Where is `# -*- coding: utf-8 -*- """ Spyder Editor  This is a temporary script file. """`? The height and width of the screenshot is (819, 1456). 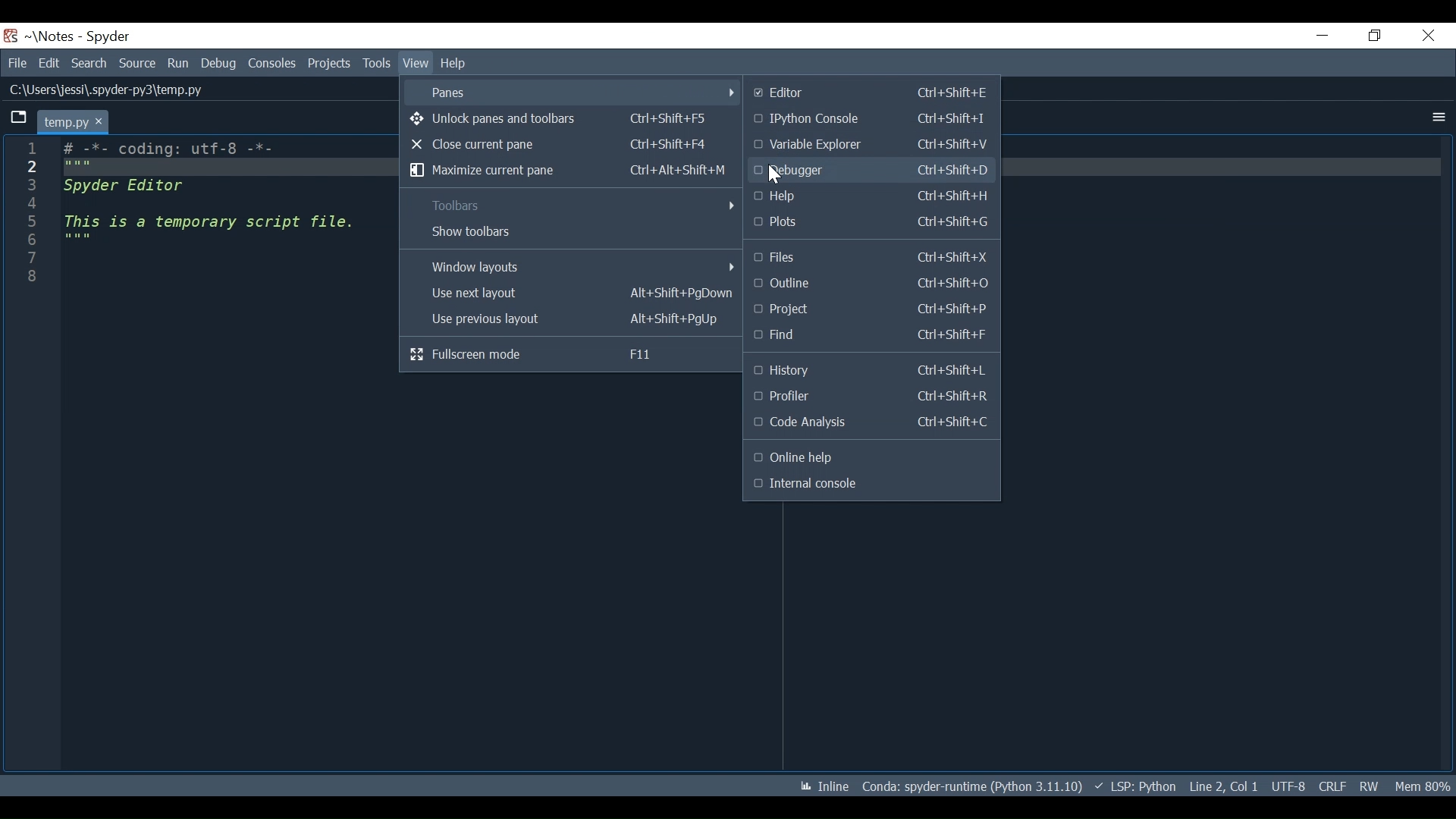
# -*- coding: utf-8 -*- """ Spyder Editor  This is a temporary script file. """ is located at coordinates (215, 215).